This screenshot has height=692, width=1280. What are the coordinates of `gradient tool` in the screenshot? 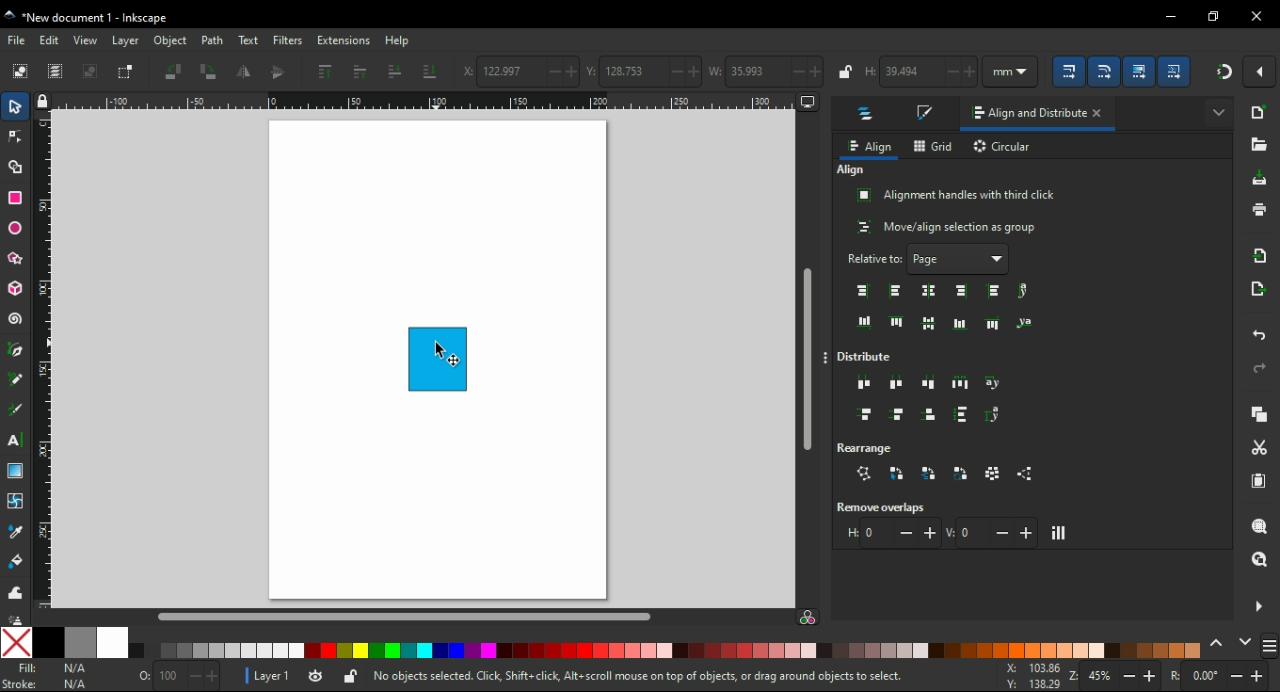 It's located at (17, 471).